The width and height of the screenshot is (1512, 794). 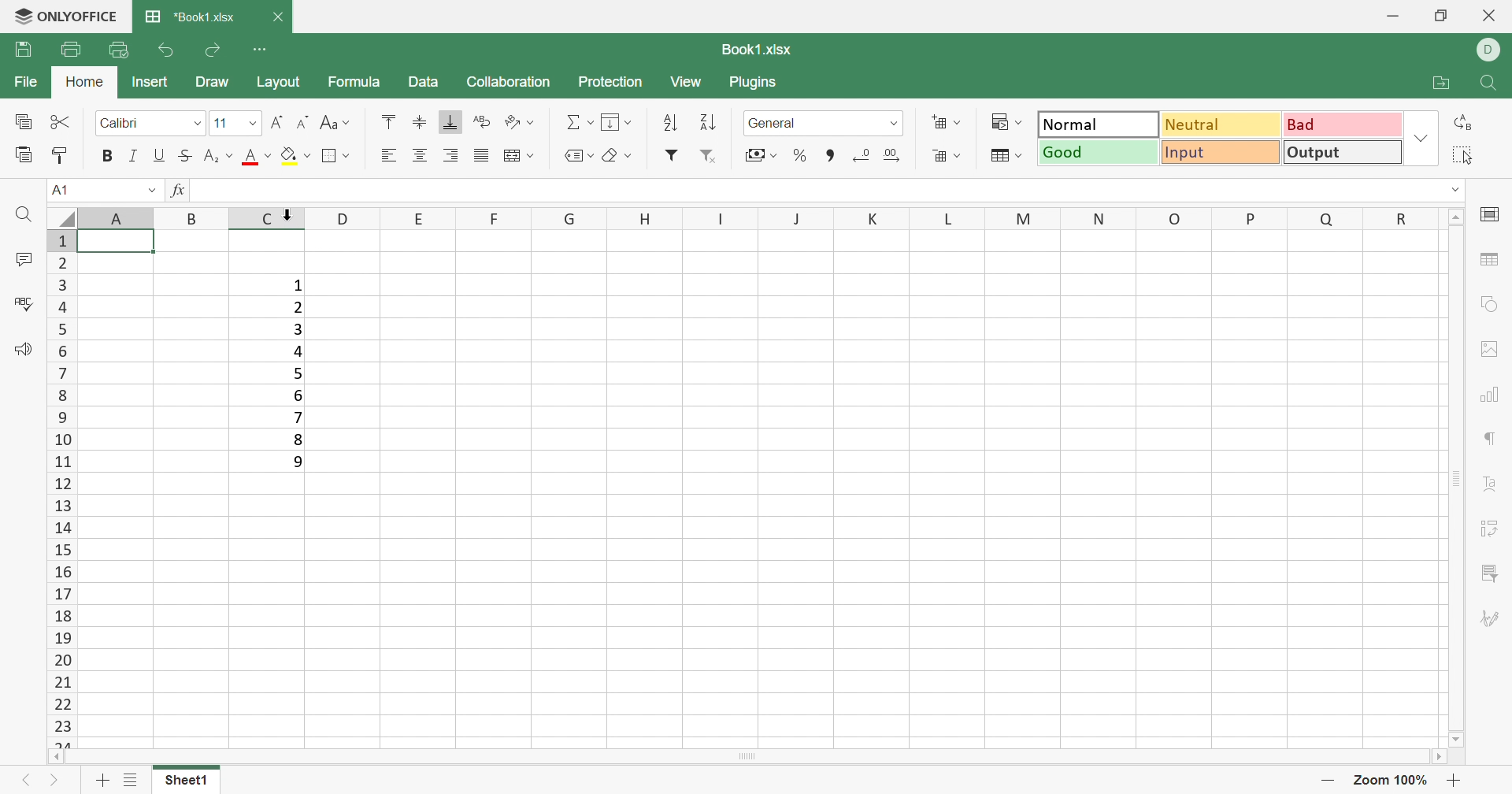 I want to click on Drop Down, so click(x=1457, y=190).